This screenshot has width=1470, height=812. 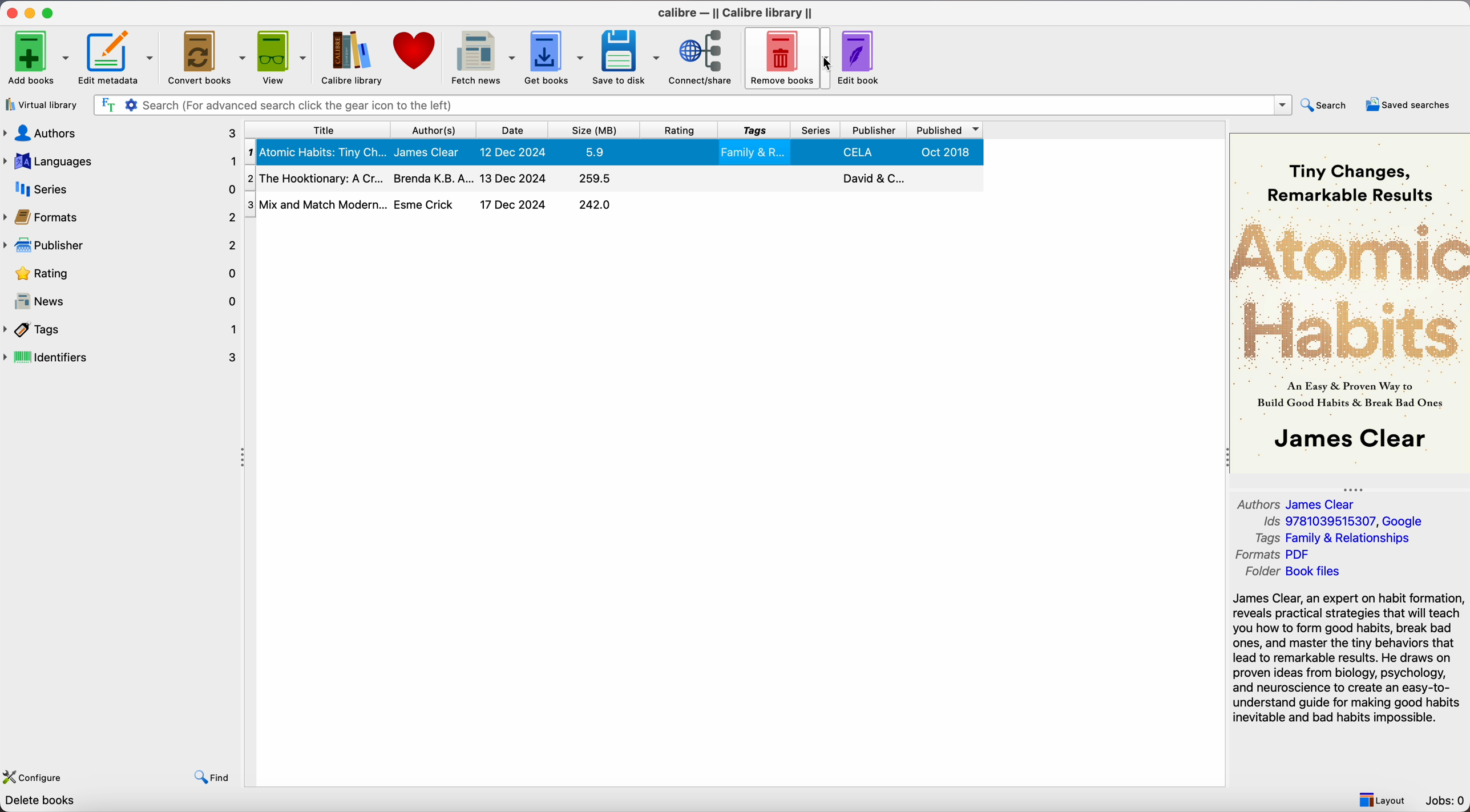 I want to click on Calibre - || Calibre library ||, so click(x=737, y=13).